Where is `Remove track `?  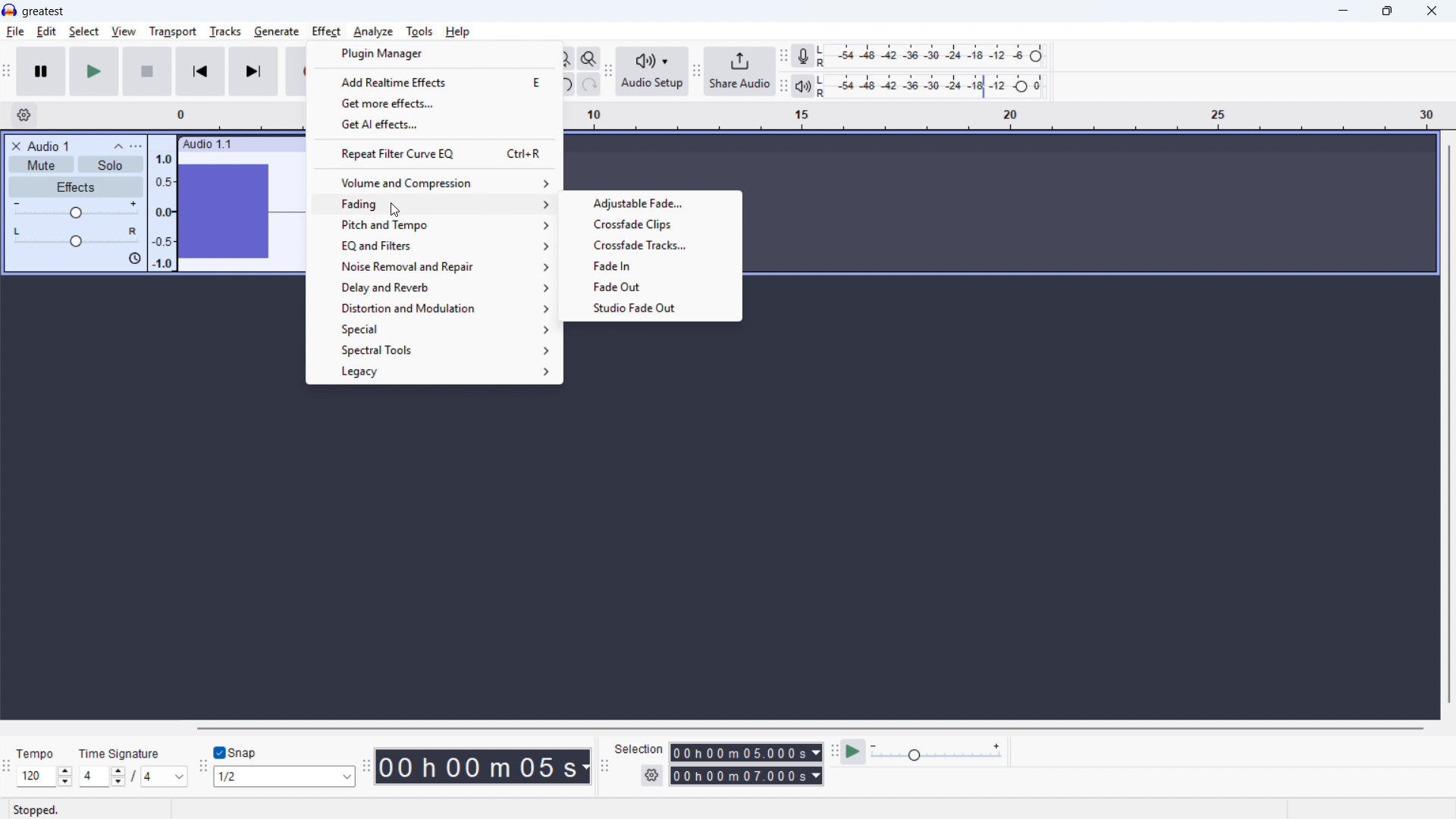 Remove track  is located at coordinates (17, 146).